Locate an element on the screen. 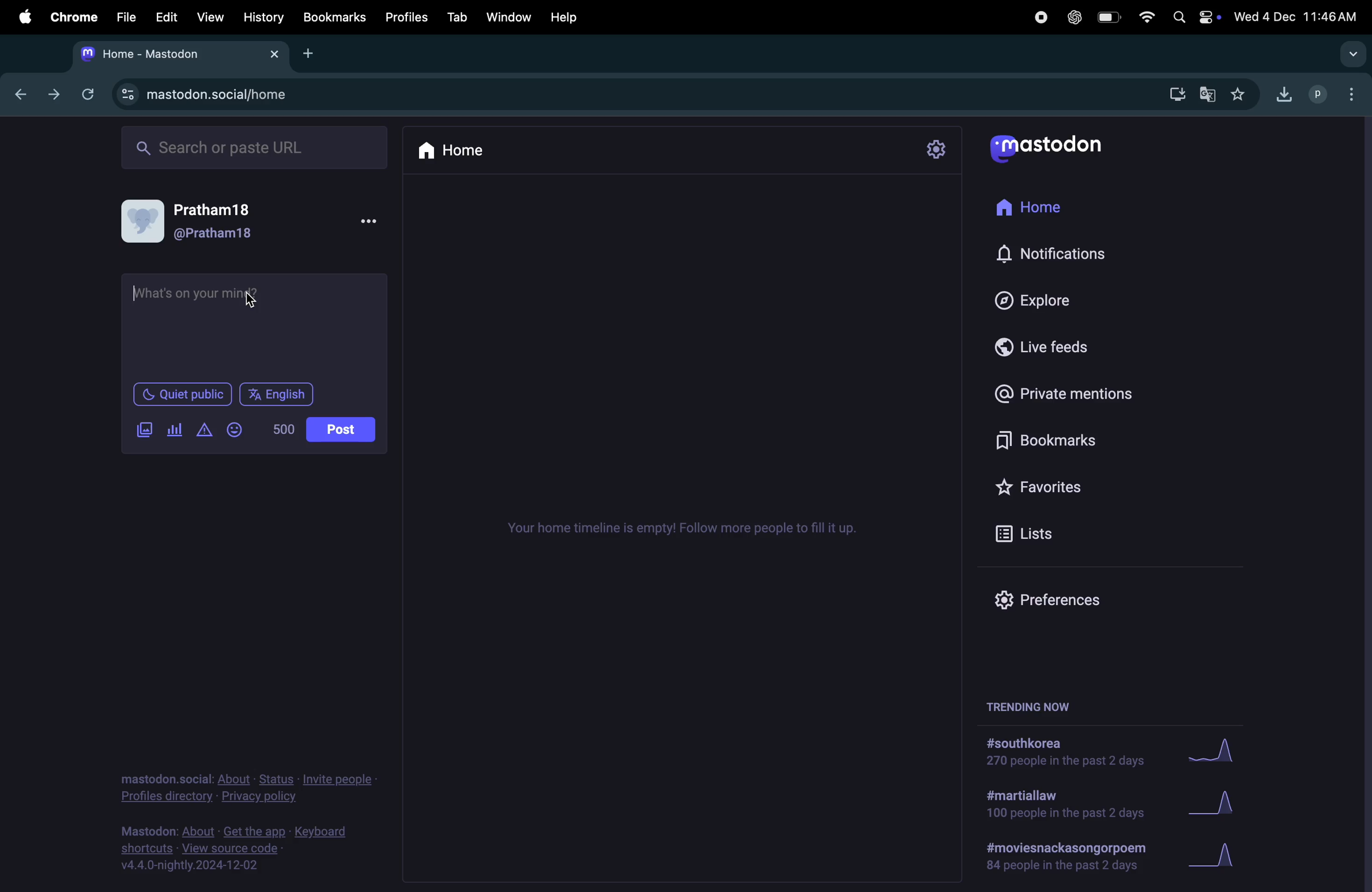 Image resolution: width=1372 pixels, height=892 pixels. live feeds is located at coordinates (1045, 351).